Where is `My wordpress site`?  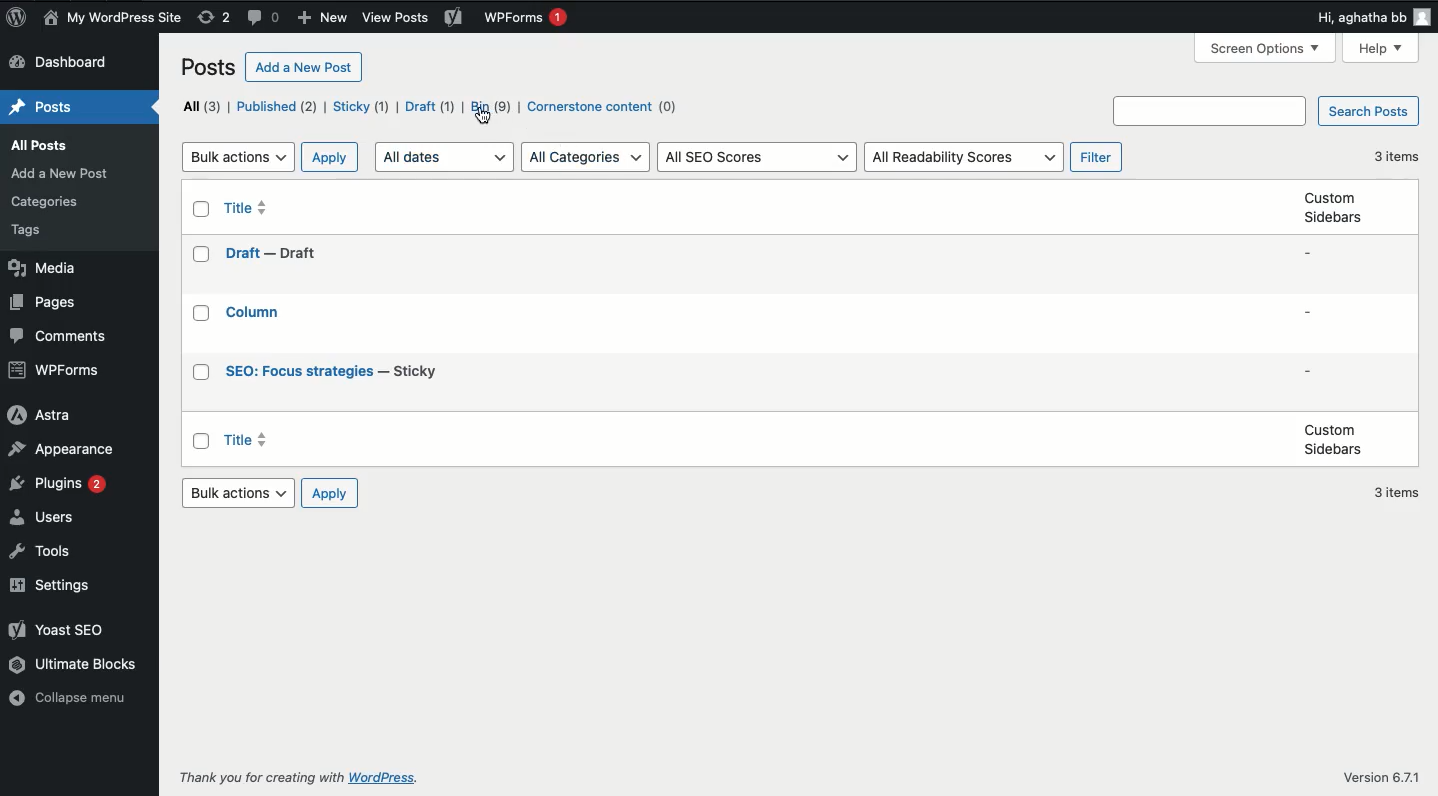
My wordpress site is located at coordinates (115, 19).